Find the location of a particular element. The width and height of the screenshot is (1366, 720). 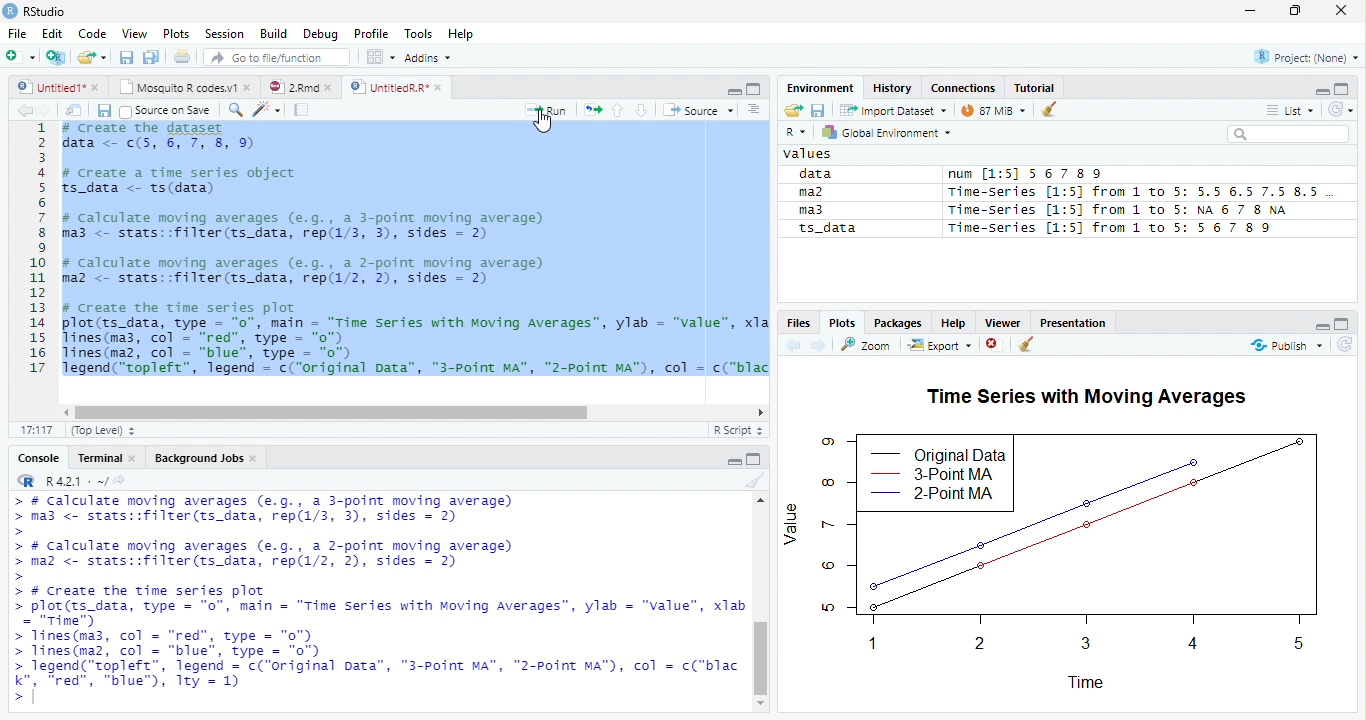

Create a project is located at coordinates (55, 57).